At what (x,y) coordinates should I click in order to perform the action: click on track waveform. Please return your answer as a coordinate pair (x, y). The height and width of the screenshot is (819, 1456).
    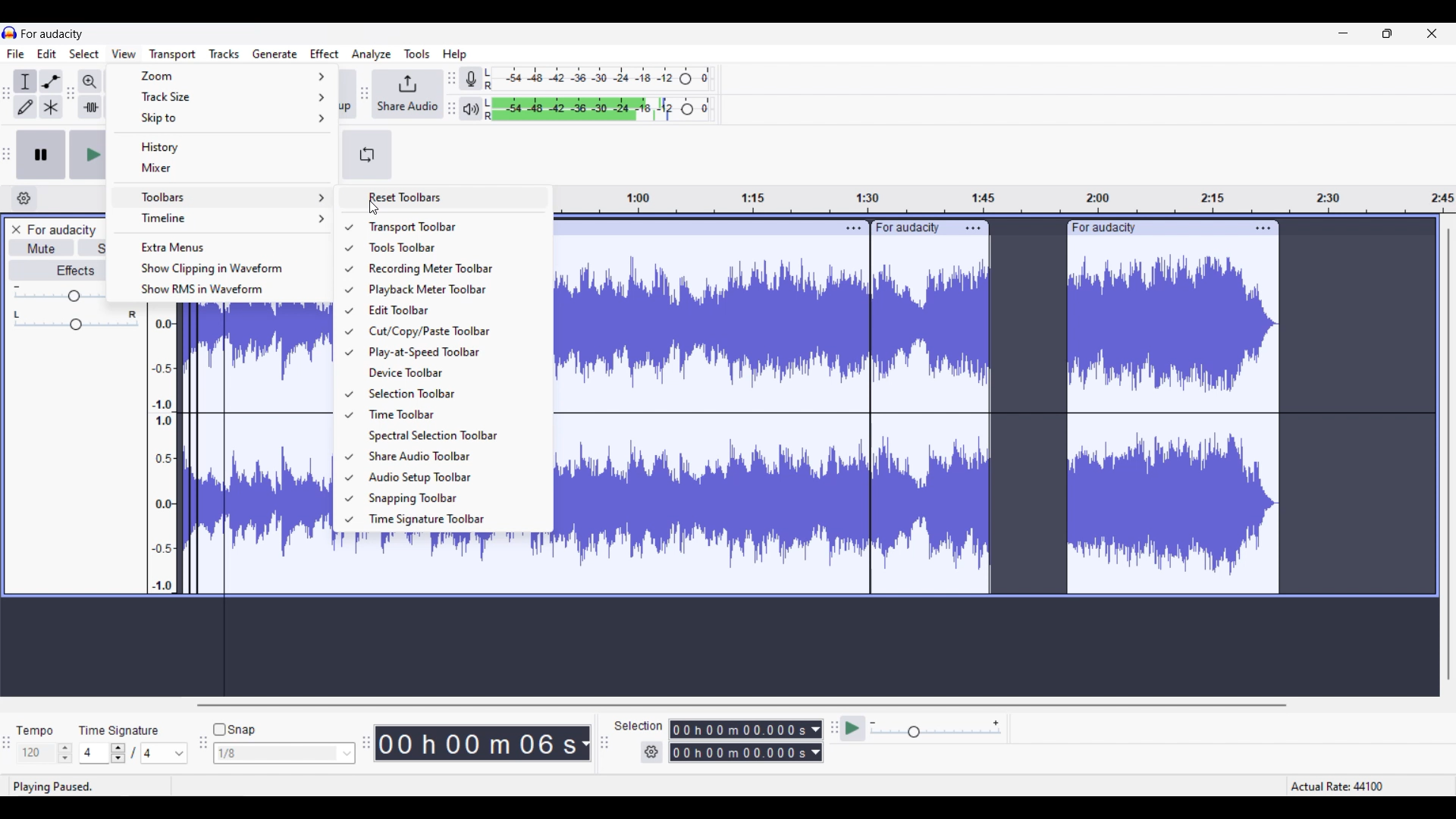
    Looking at the image, I should click on (921, 424).